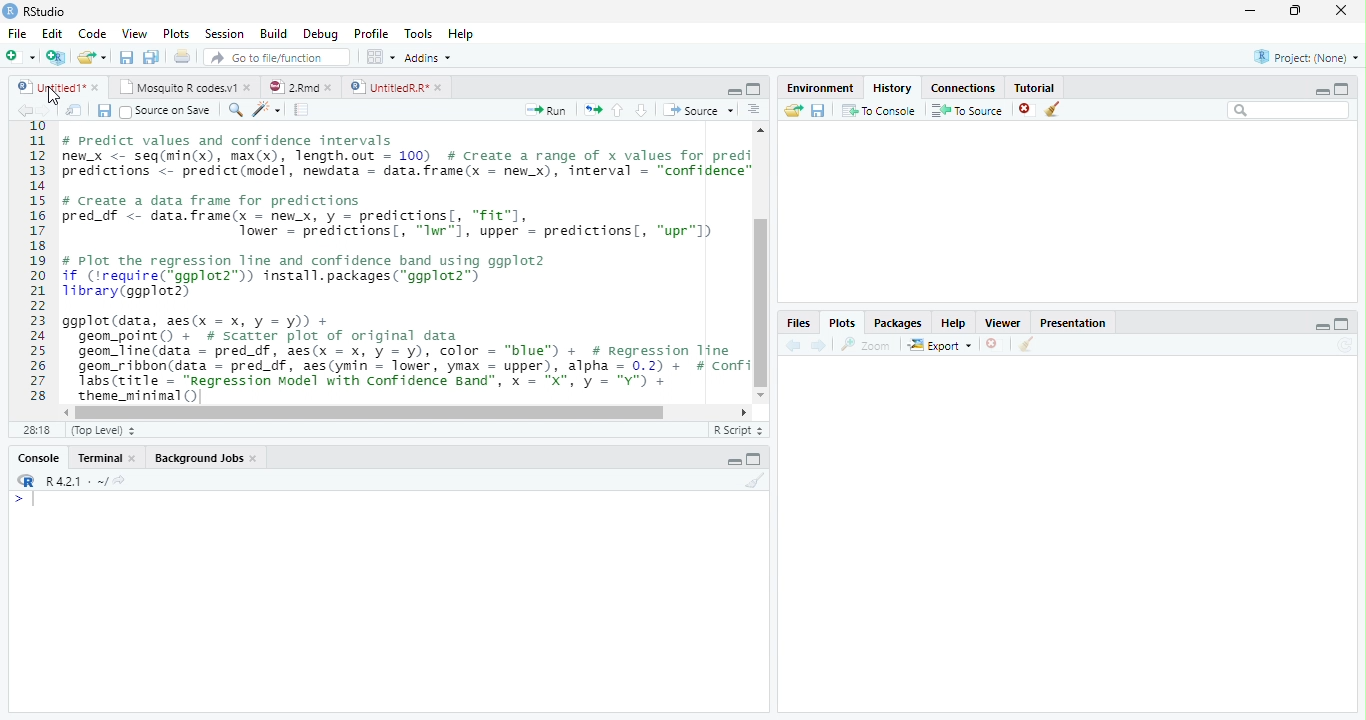  What do you see at coordinates (15, 500) in the screenshot?
I see `>` at bounding box center [15, 500].